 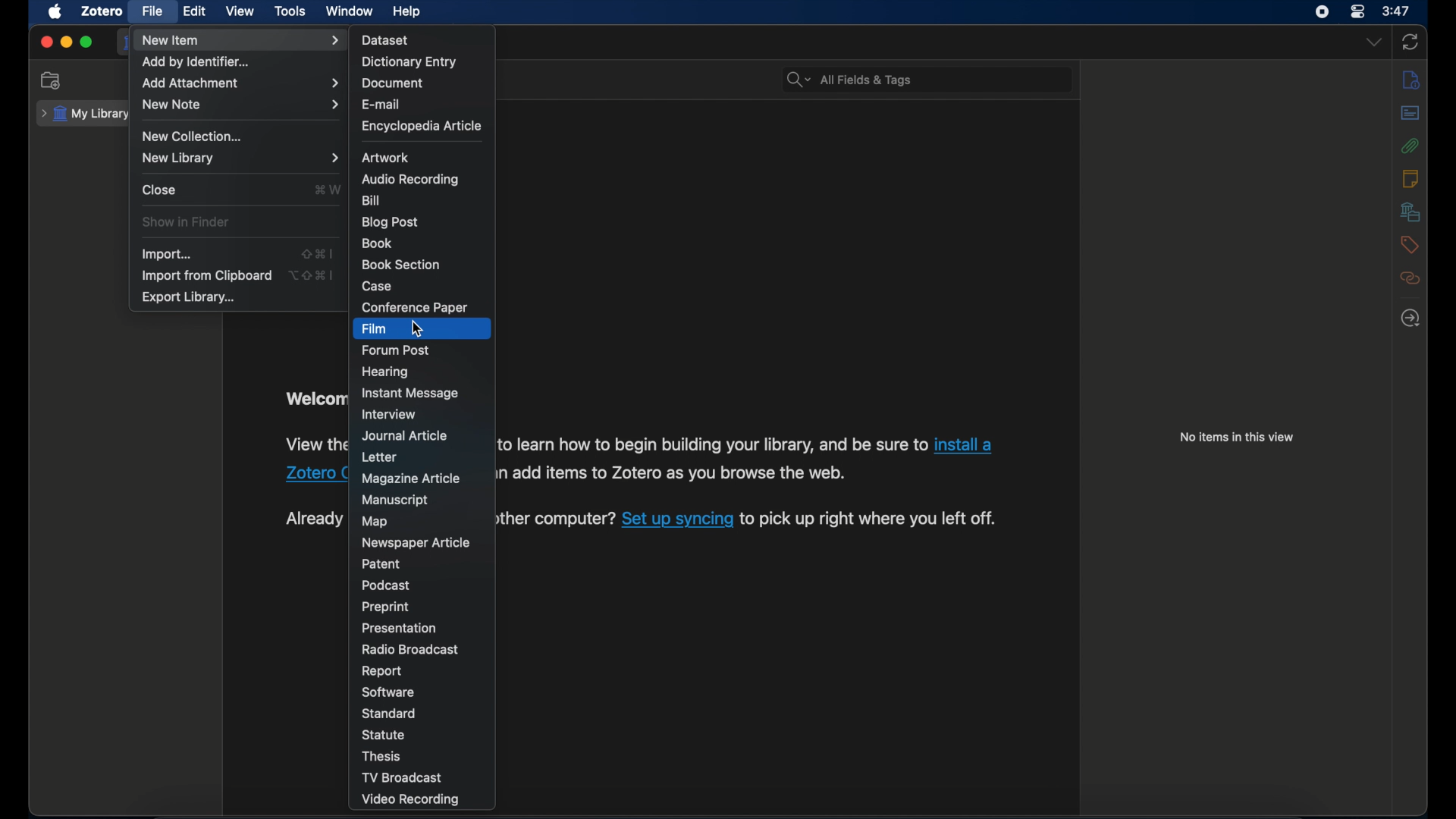 What do you see at coordinates (403, 777) in the screenshot?
I see `tv broadcast` at bounding box center [403, 777].